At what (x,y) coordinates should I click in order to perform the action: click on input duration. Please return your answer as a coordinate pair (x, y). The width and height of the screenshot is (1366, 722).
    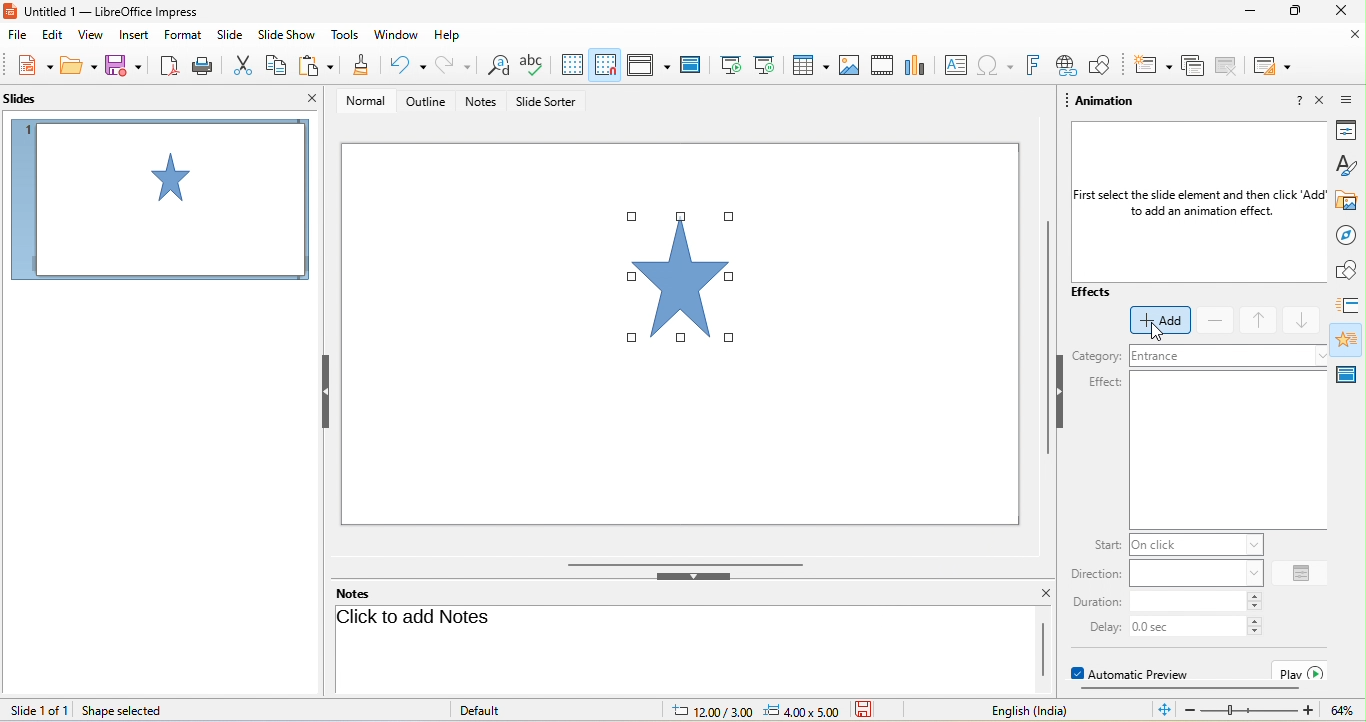
    Looking at the image, I should click on (1187, 602).